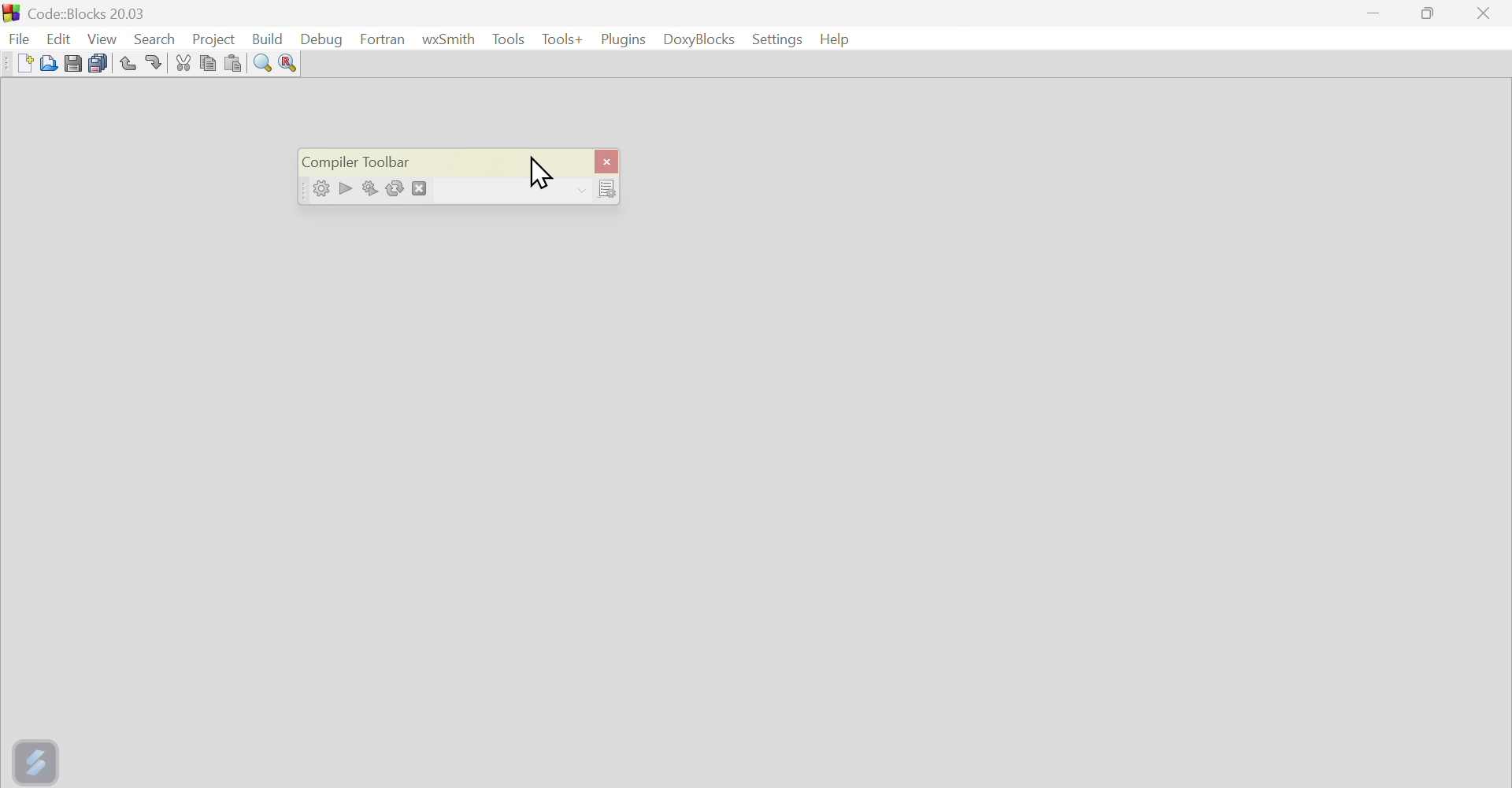 This screenshot has width=1512, height=788. I want to click on Undo, so click(125, 60).